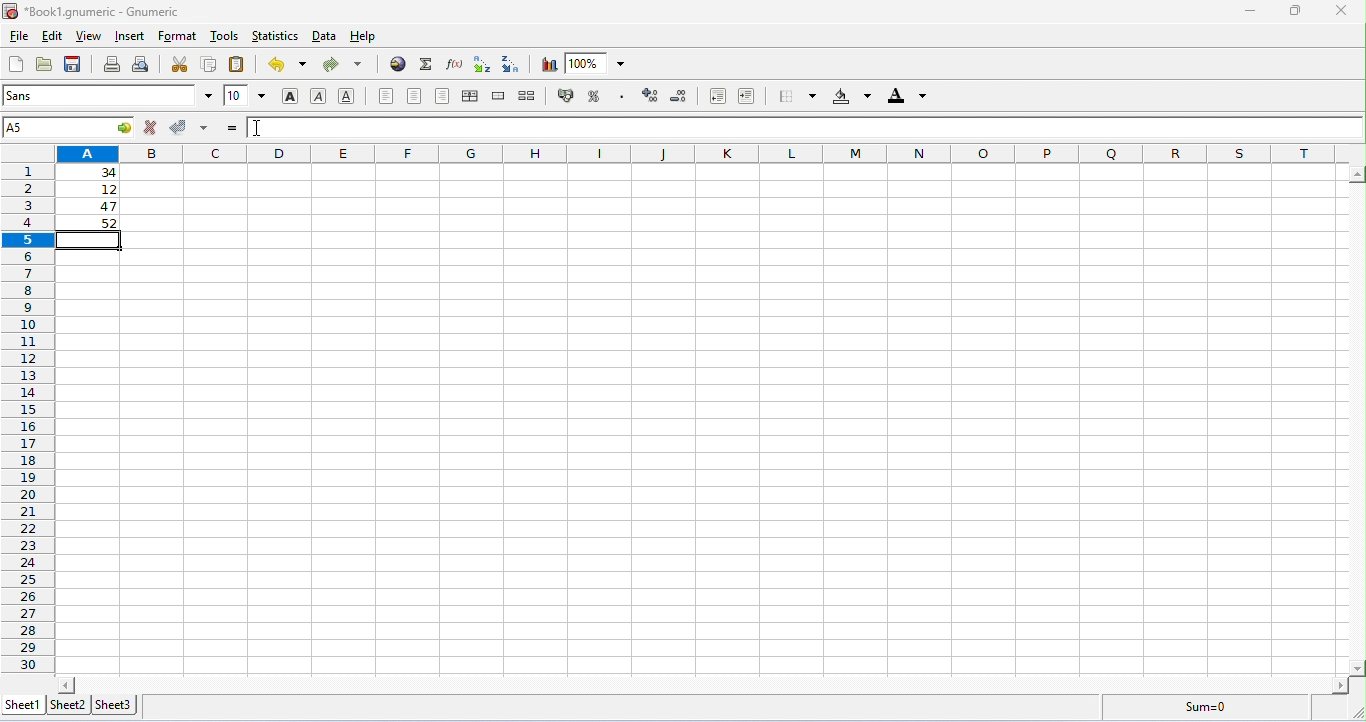 The height and width of the screenshot is (722, 1366). What do you see at coordinates (527, 95) in the screenshot?
I see `split cells` at bounding box center [527, 95].